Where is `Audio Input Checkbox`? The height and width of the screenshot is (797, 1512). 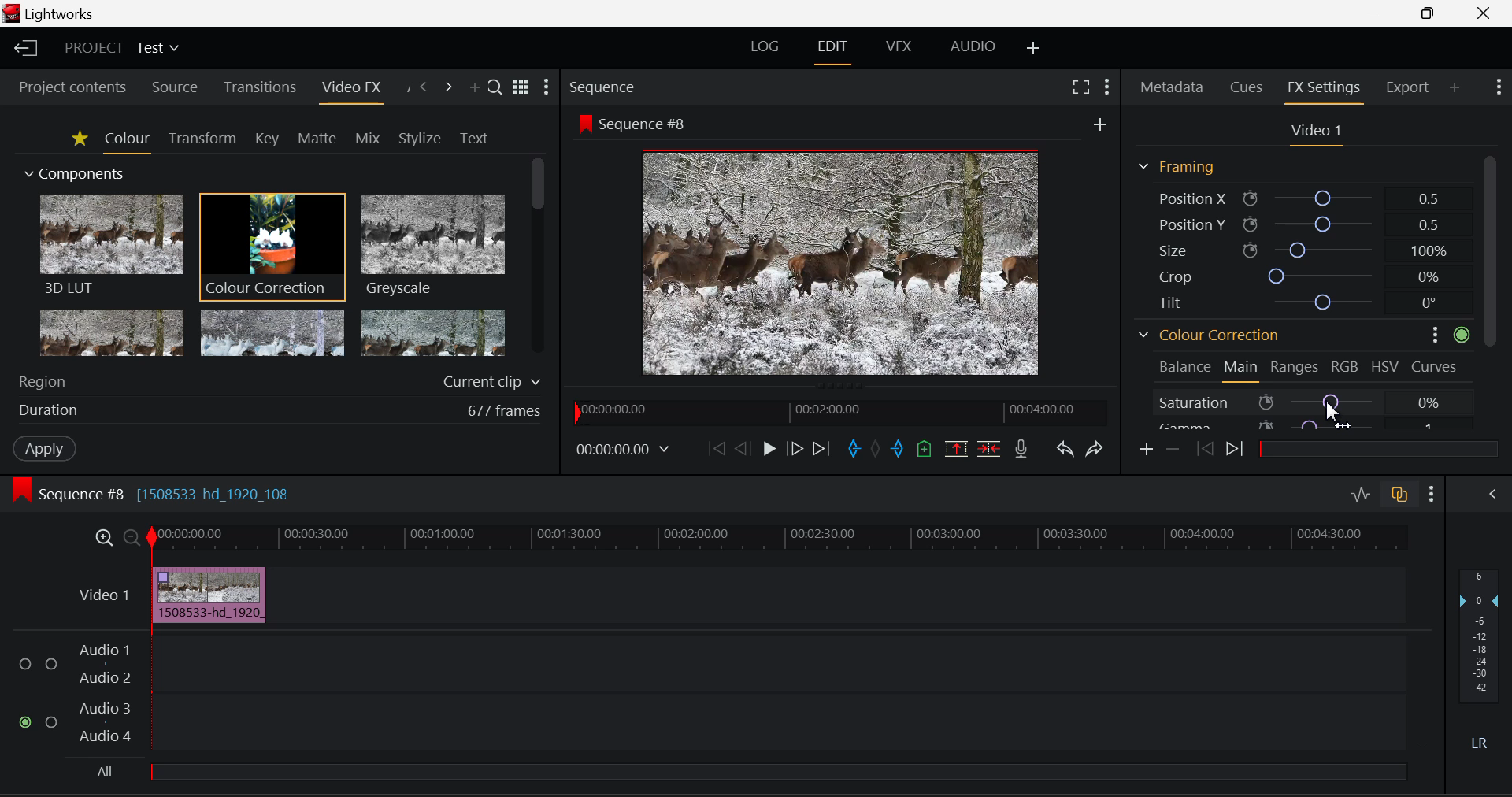 Audio Input Checkbox is located at coordinates (51, 721).